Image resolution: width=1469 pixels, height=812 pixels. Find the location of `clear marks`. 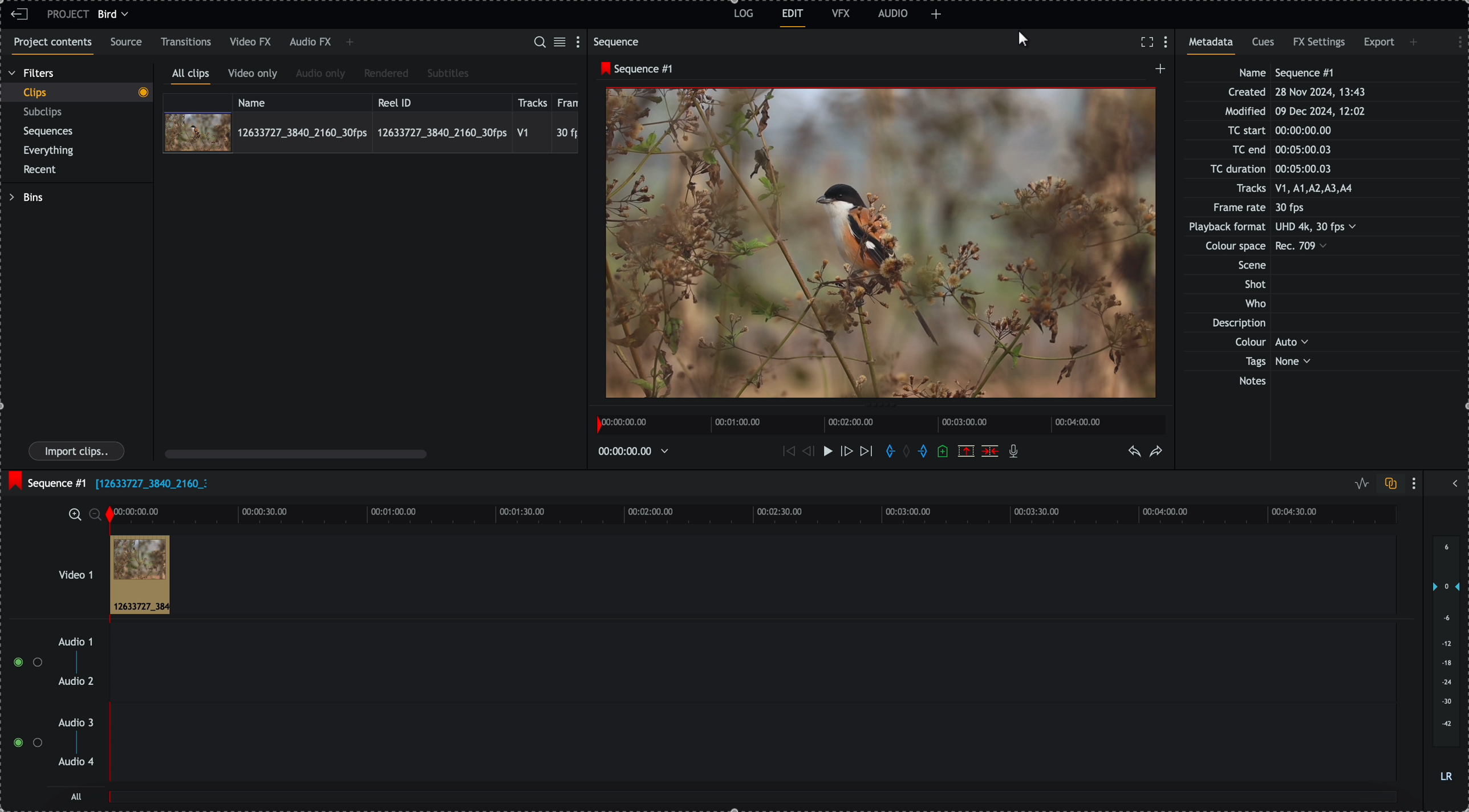

clear marks is located at coordinates (910, 452).